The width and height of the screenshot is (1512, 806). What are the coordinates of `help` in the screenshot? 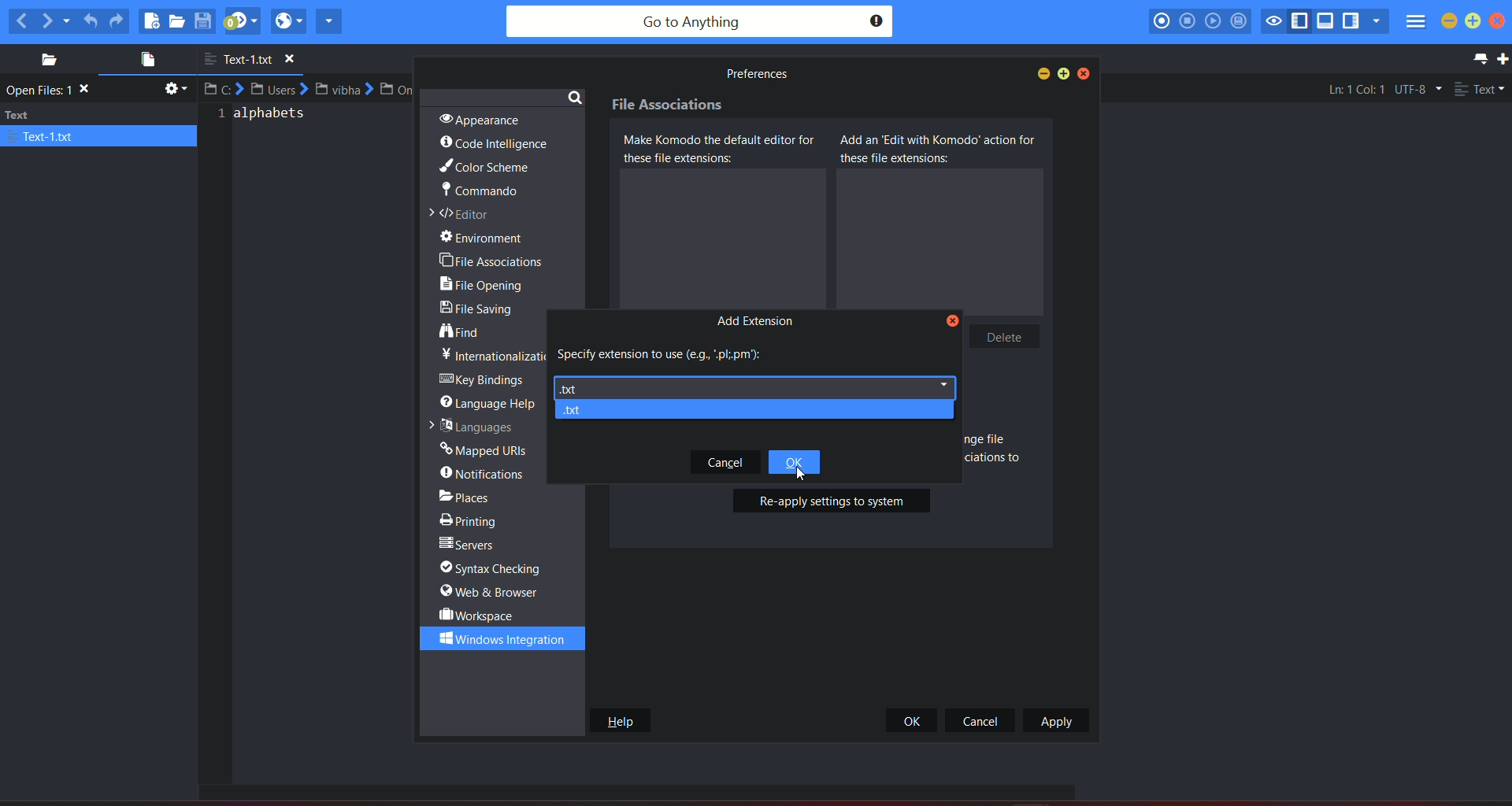 It's located at (619, 720).